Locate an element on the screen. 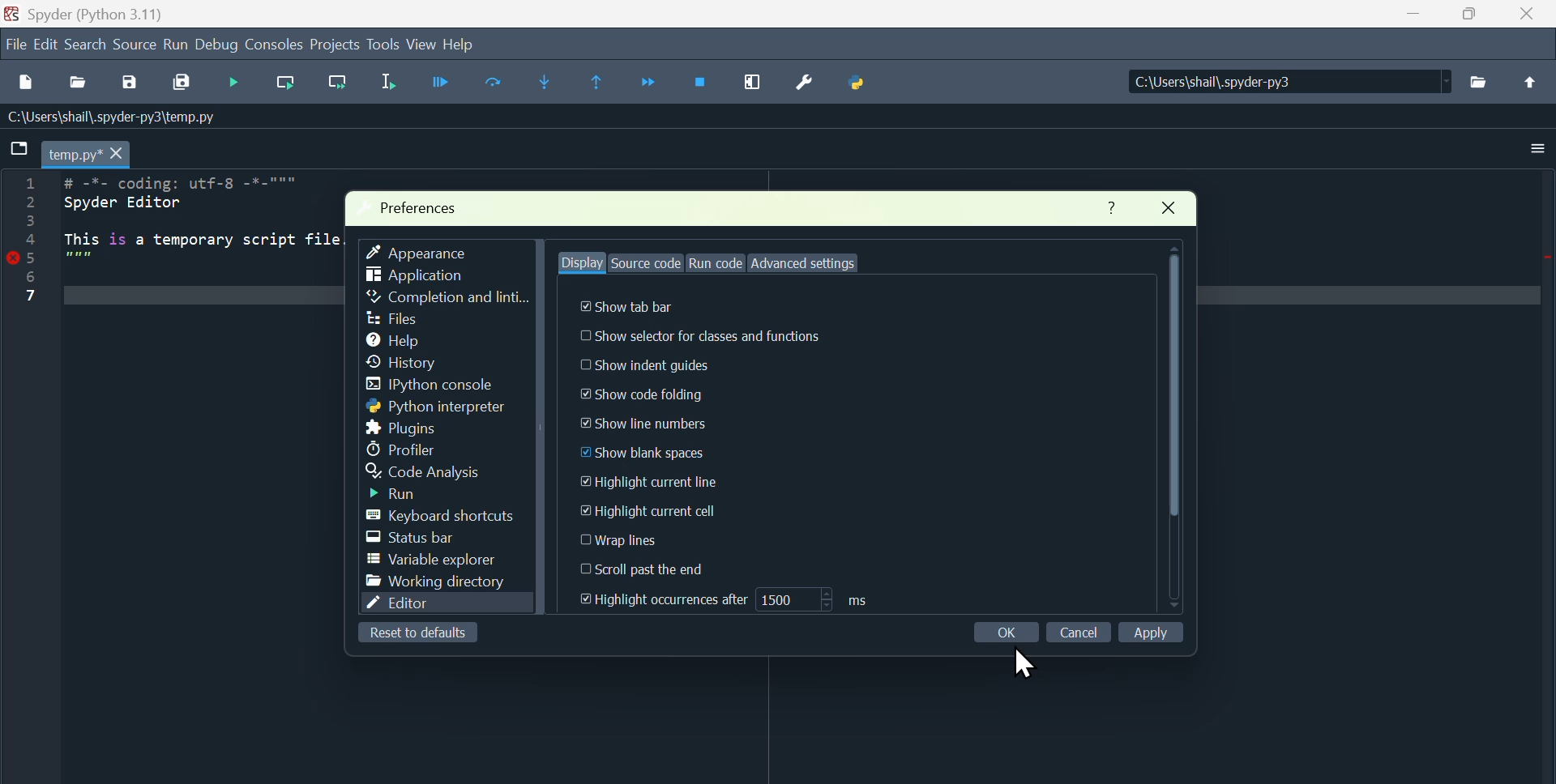 The width and height of the screenshot is (1556, 784). Files is located at coordinates (398, 319).